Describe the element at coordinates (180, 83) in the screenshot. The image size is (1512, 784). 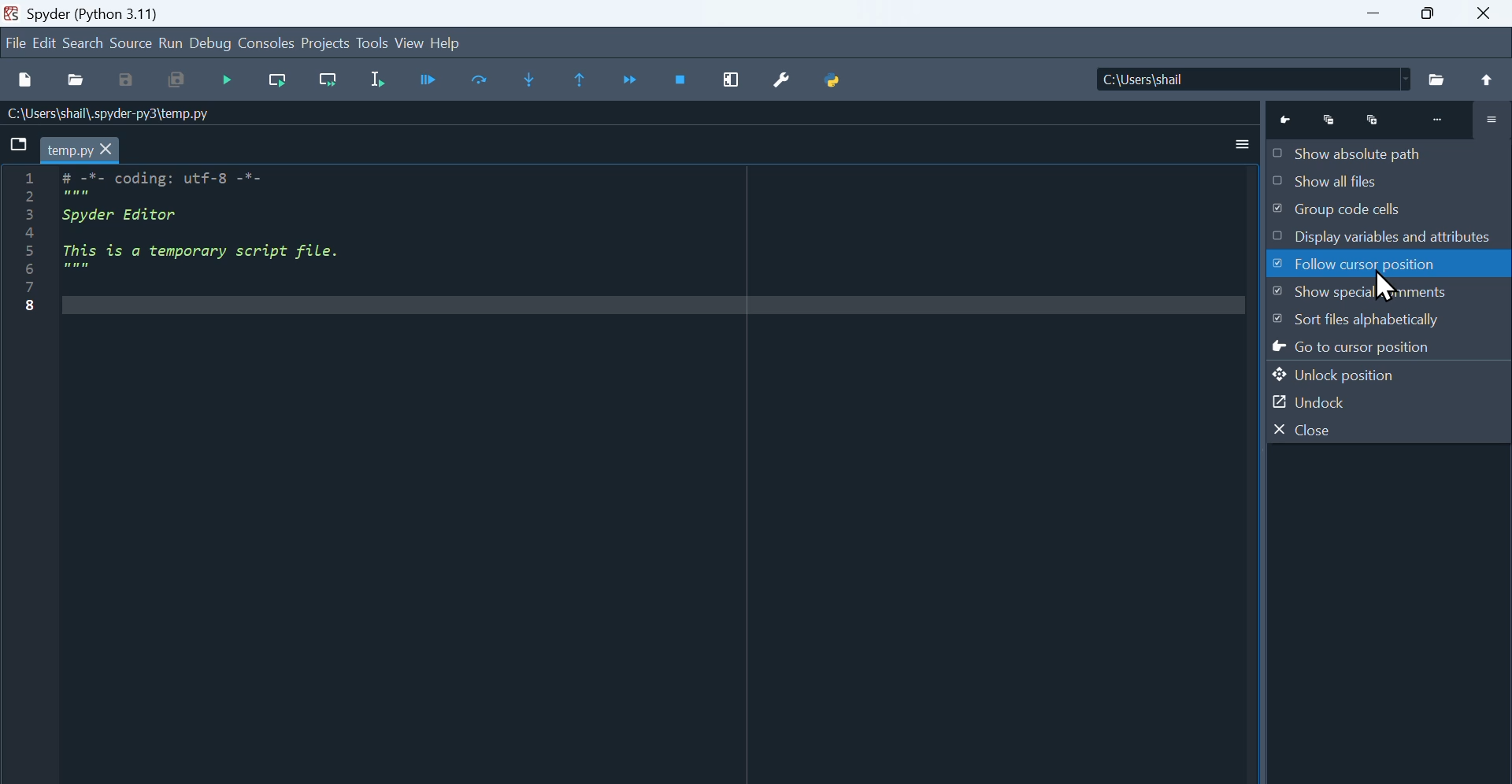
I see `Save all` at that location.